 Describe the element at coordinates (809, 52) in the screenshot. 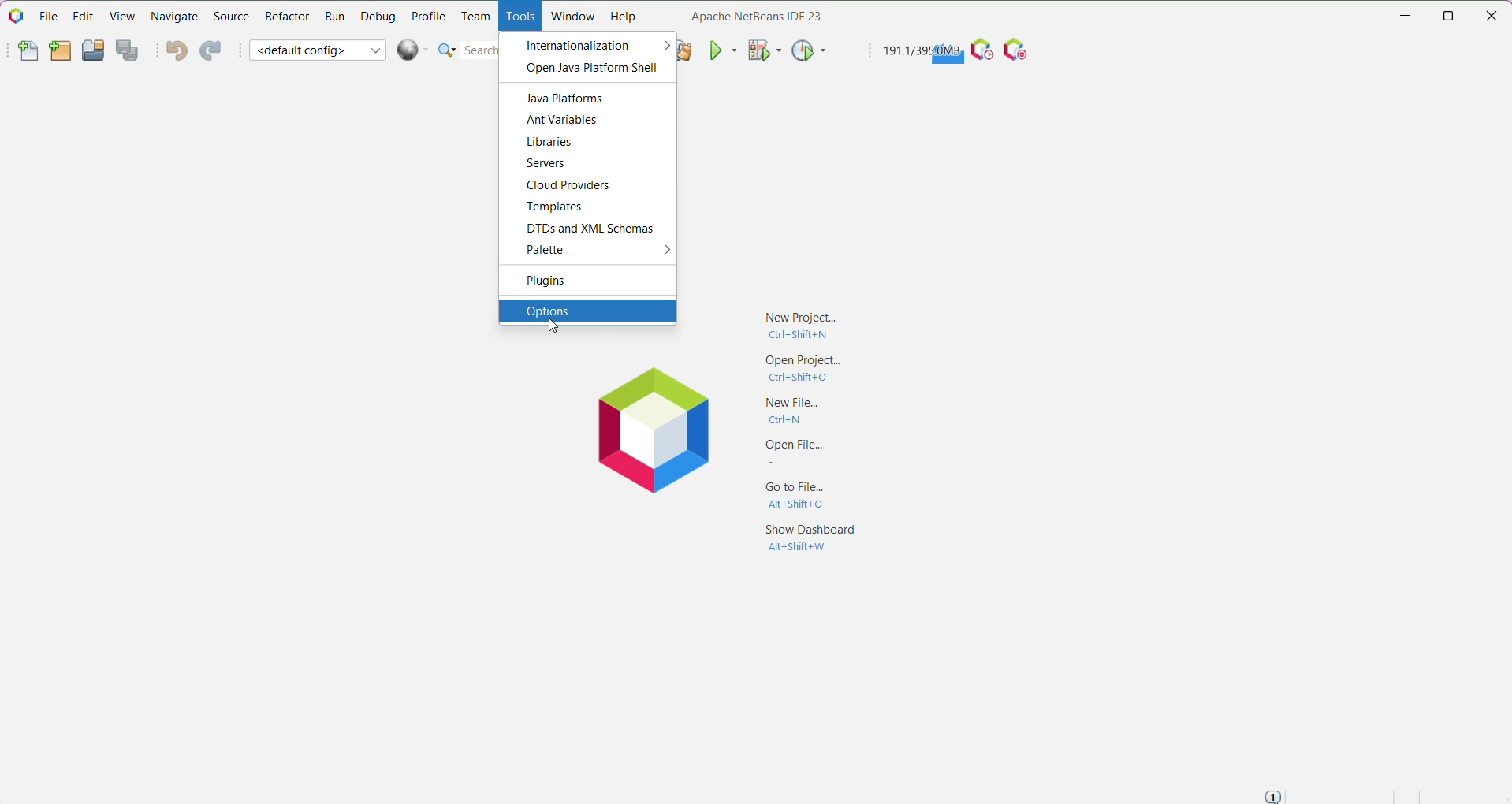

I see `Profile Project` at that location.